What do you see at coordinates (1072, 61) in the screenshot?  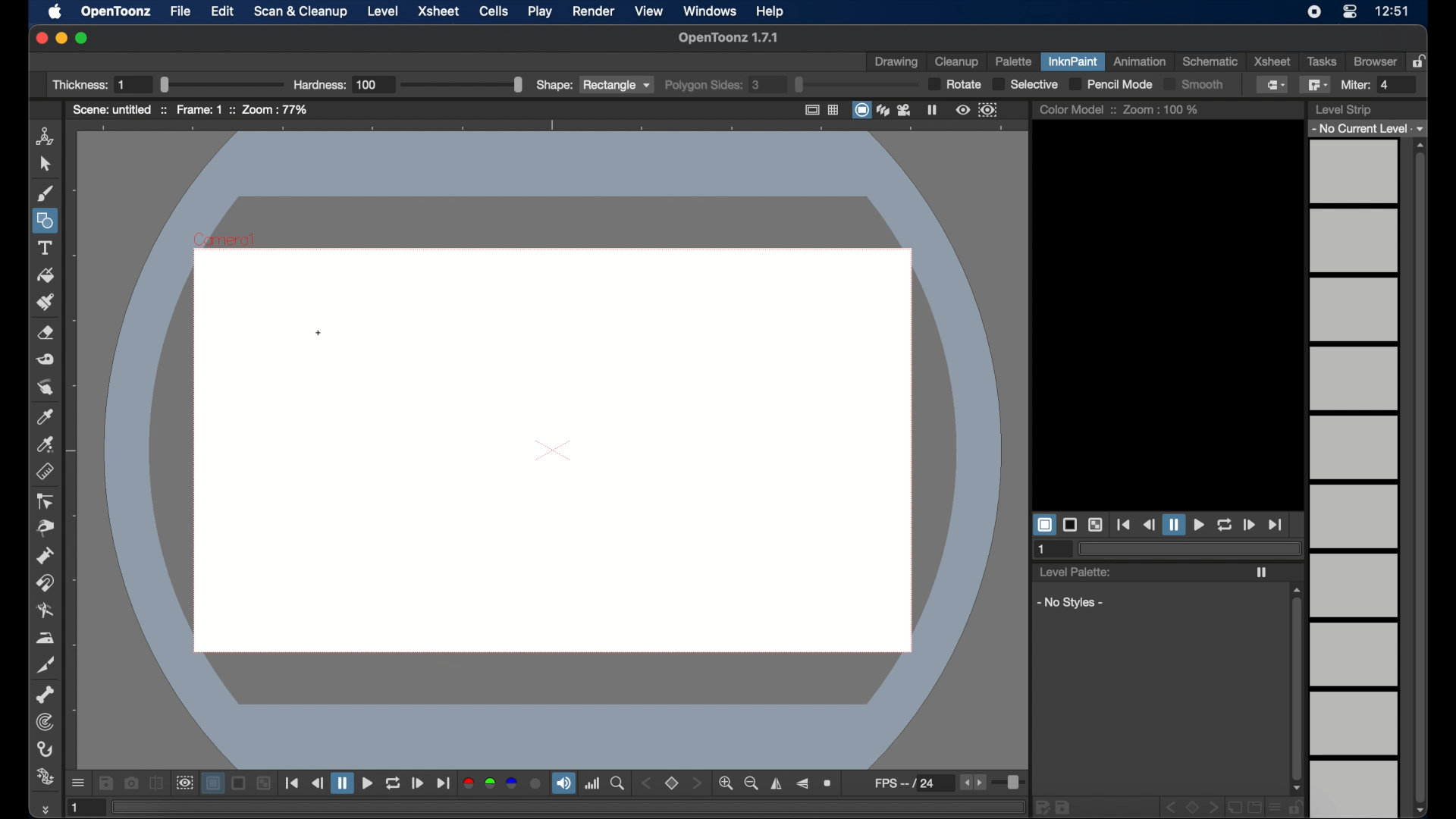 I see `inknpaint` at bounding box center [1072, 61].